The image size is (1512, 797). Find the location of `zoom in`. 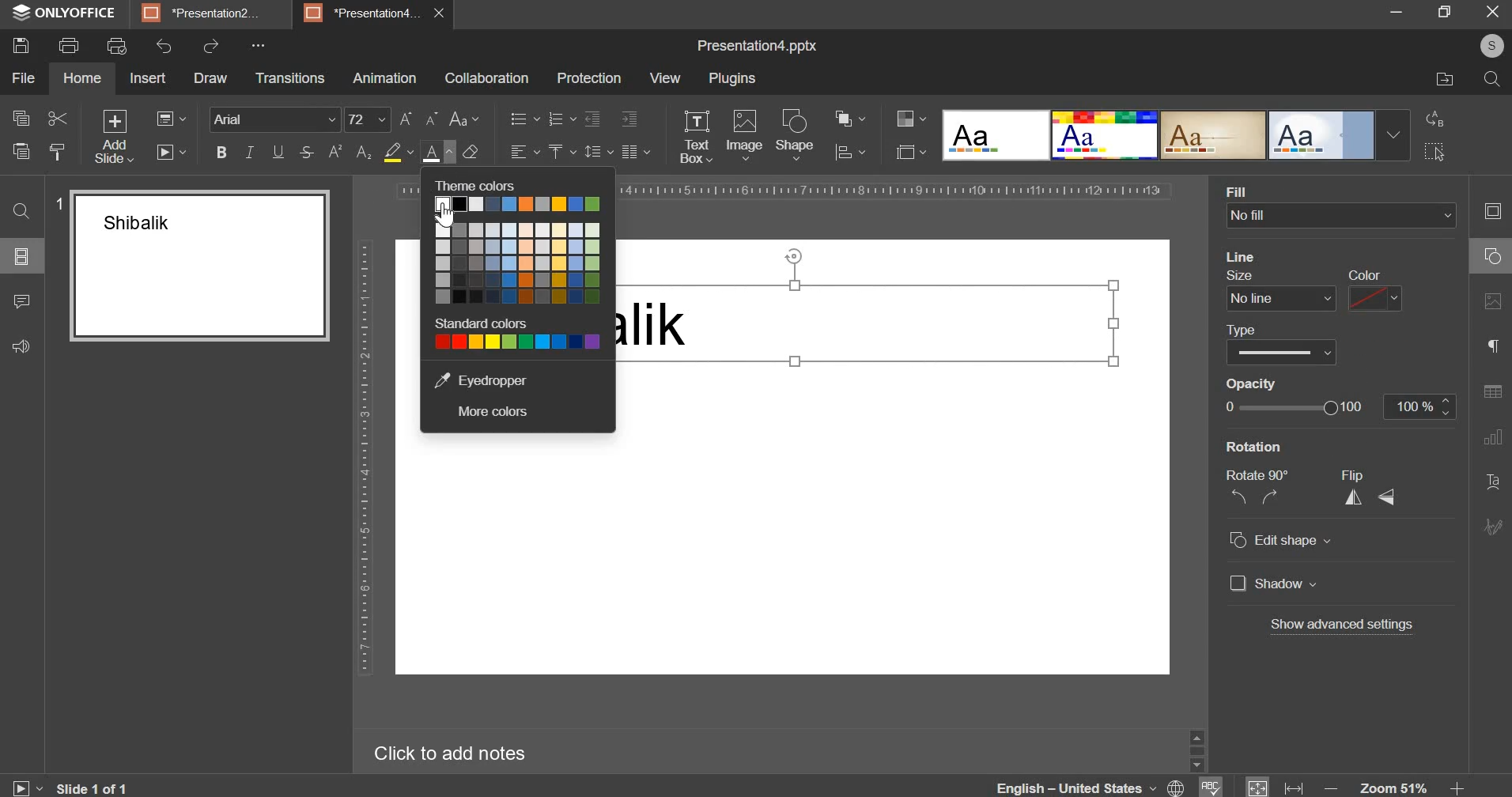

zoom in is located at coordinates (1453, 784).